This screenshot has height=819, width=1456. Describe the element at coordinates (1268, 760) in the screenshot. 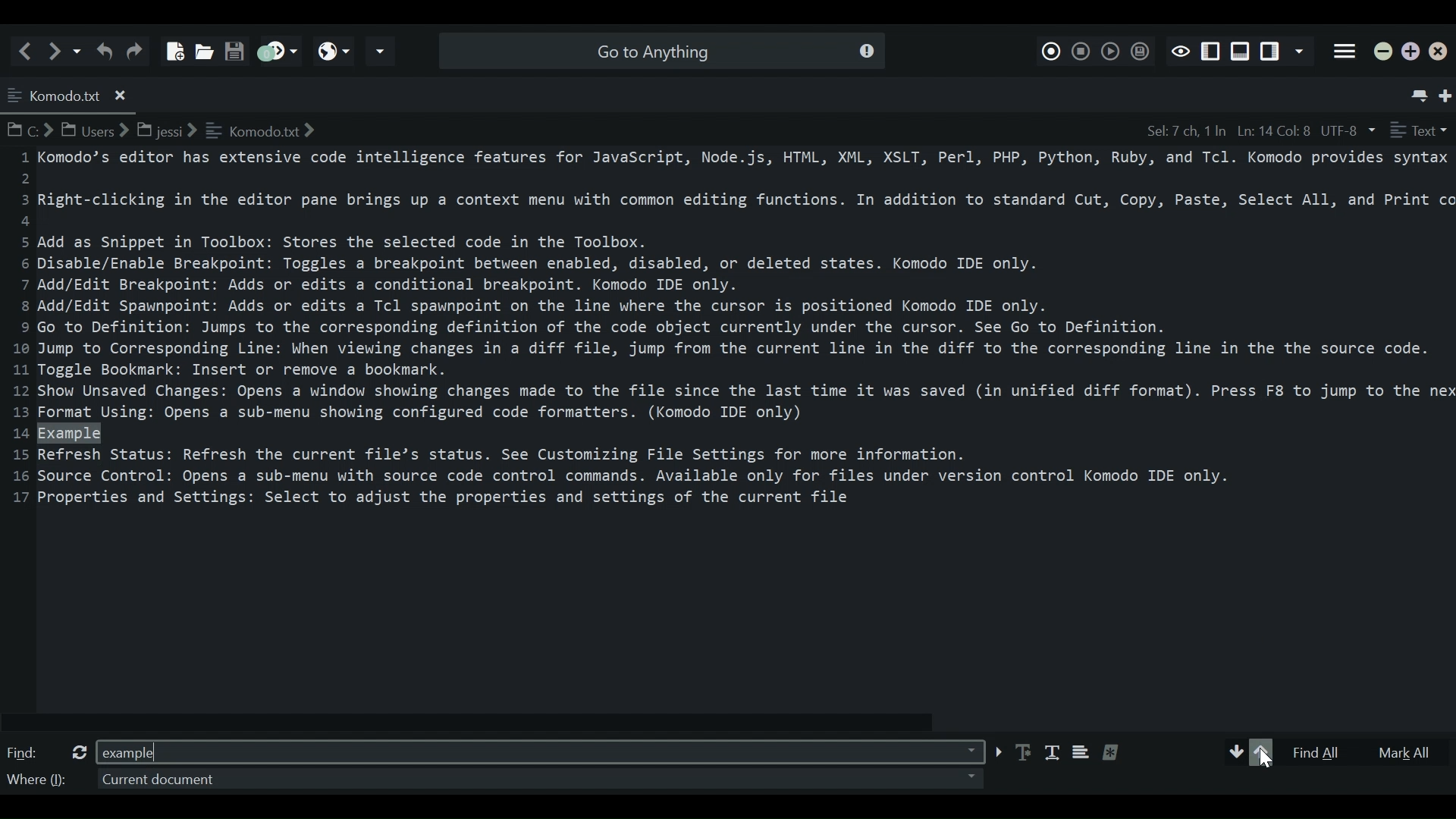

I see `Cursor` at that location.